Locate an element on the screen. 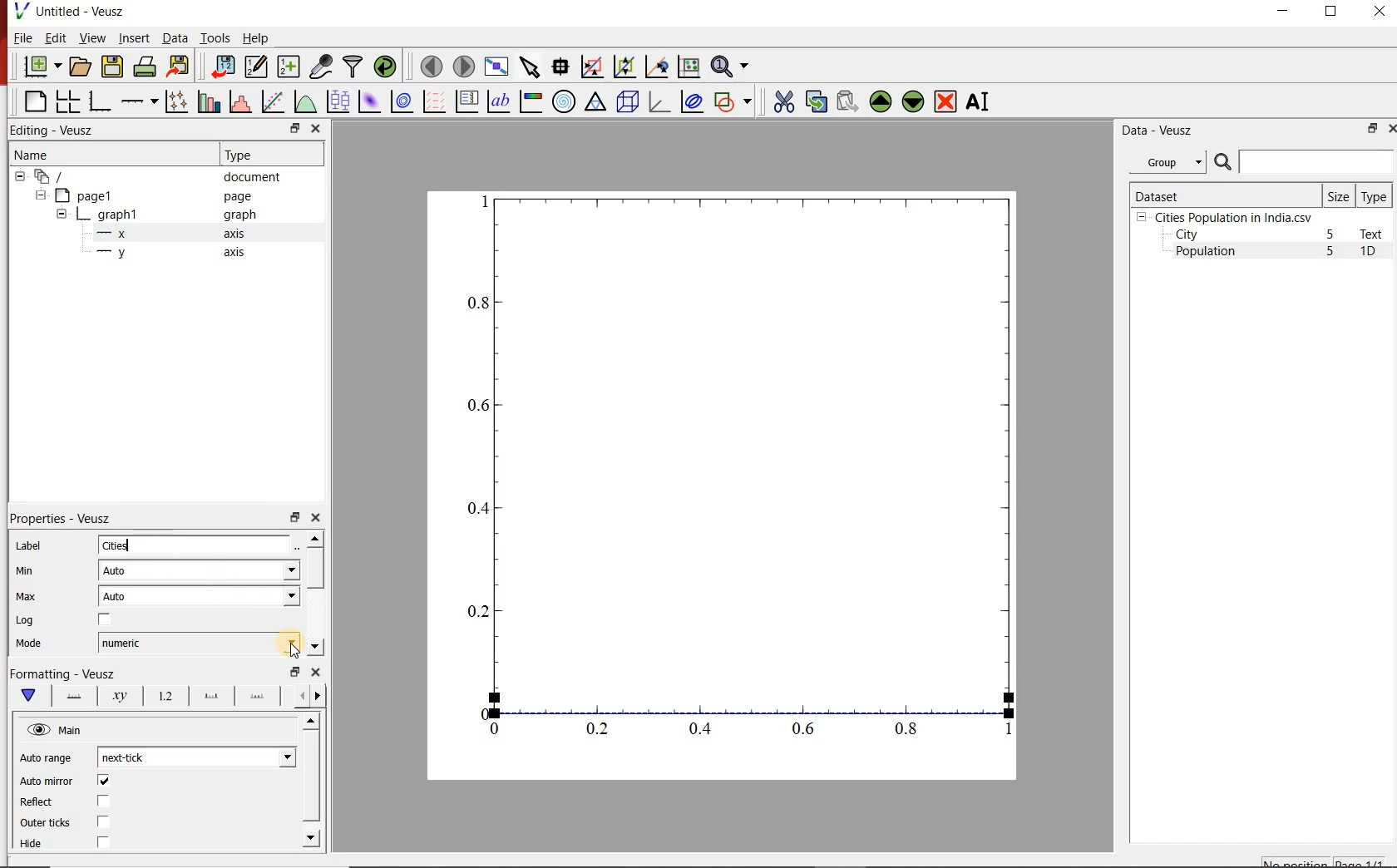 Image resolution: width=1397 pixels, height=868 pixels. restore is located at coordinates (1373, 128).